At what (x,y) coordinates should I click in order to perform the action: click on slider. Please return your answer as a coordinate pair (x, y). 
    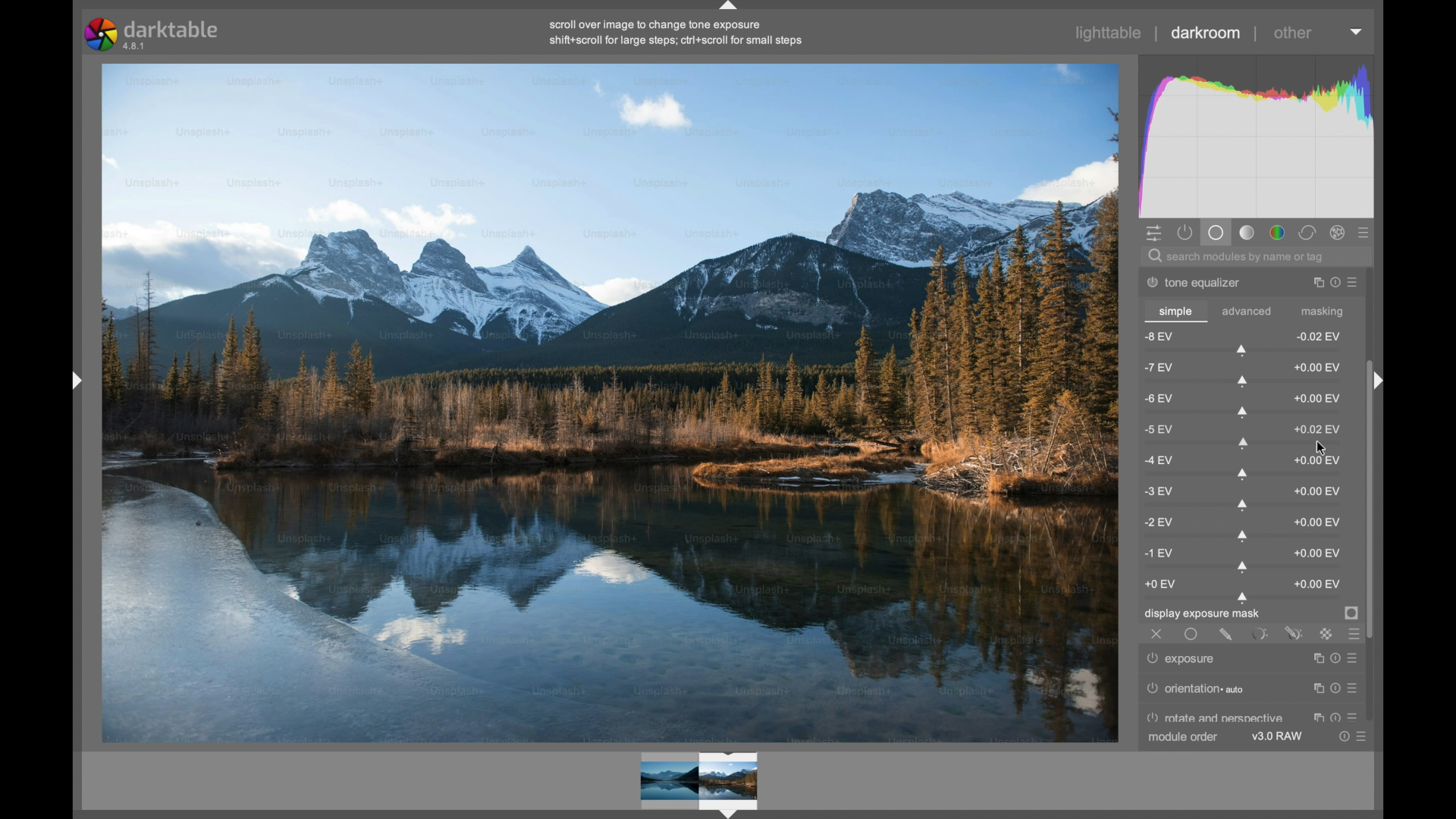
    Looking at the image, I should click on (1244, 568).